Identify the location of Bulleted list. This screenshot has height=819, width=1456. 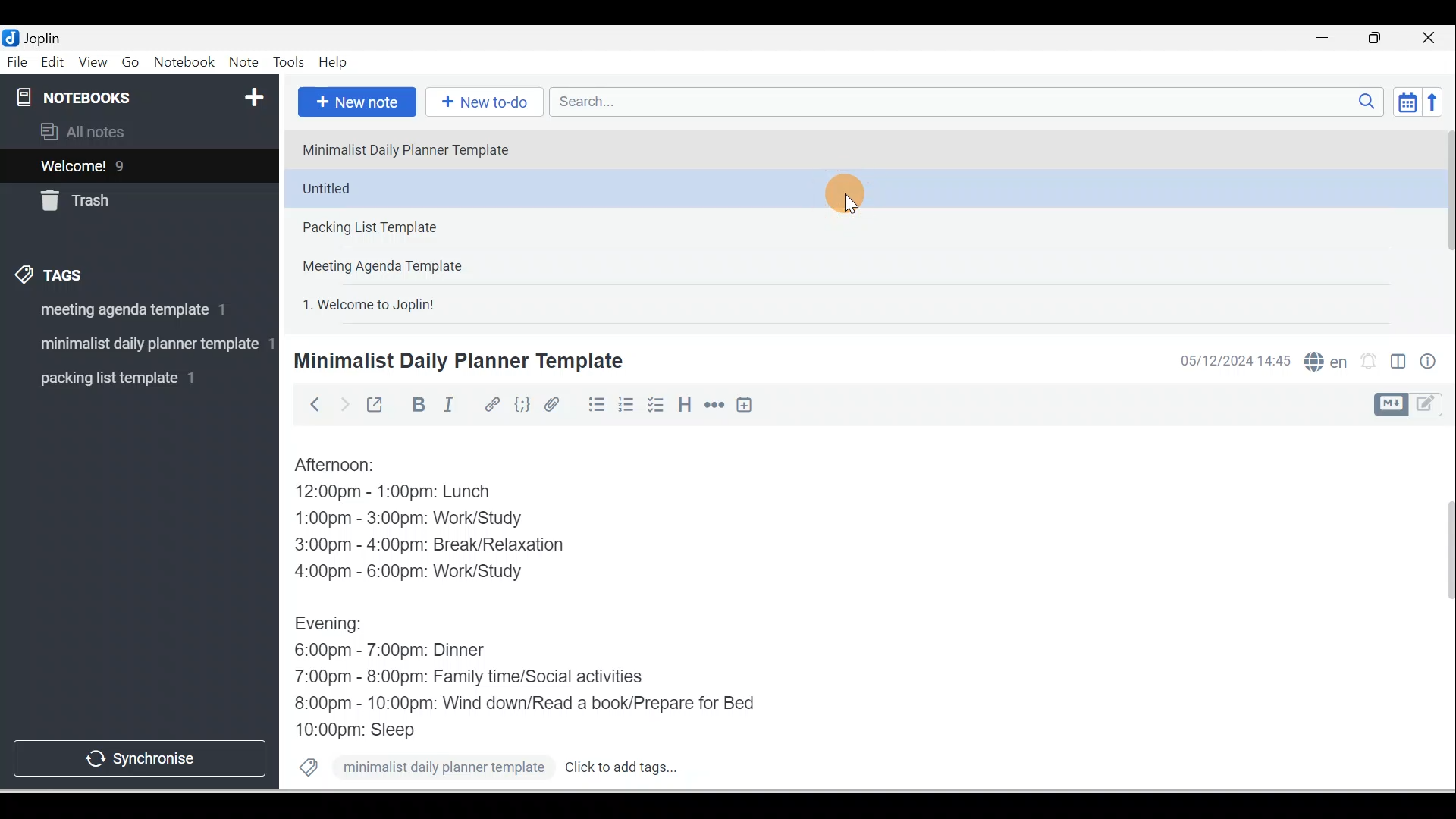
(593, 404).